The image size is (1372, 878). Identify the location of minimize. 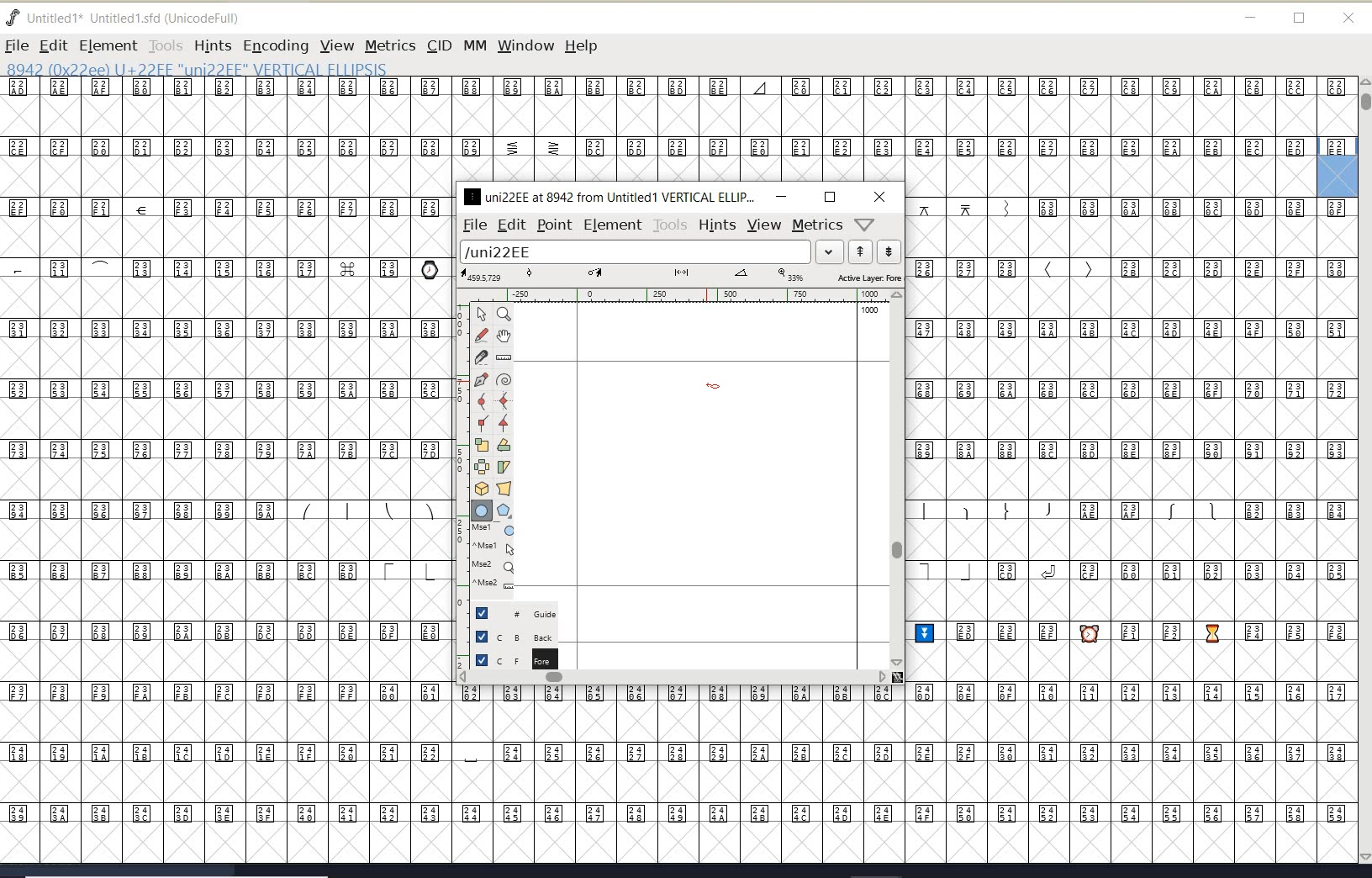
(781, 196).